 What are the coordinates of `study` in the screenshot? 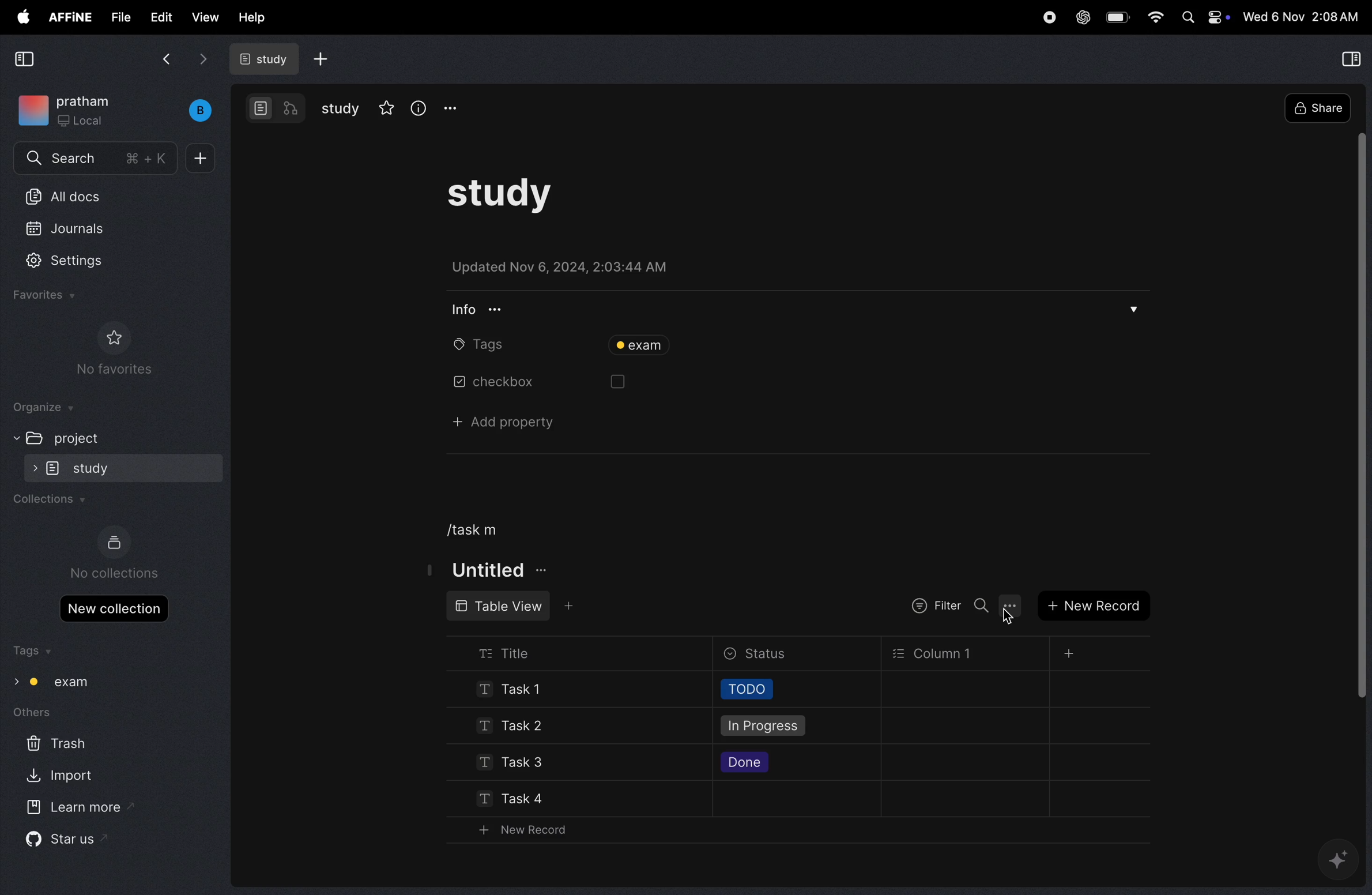 It's located at (338, 110).